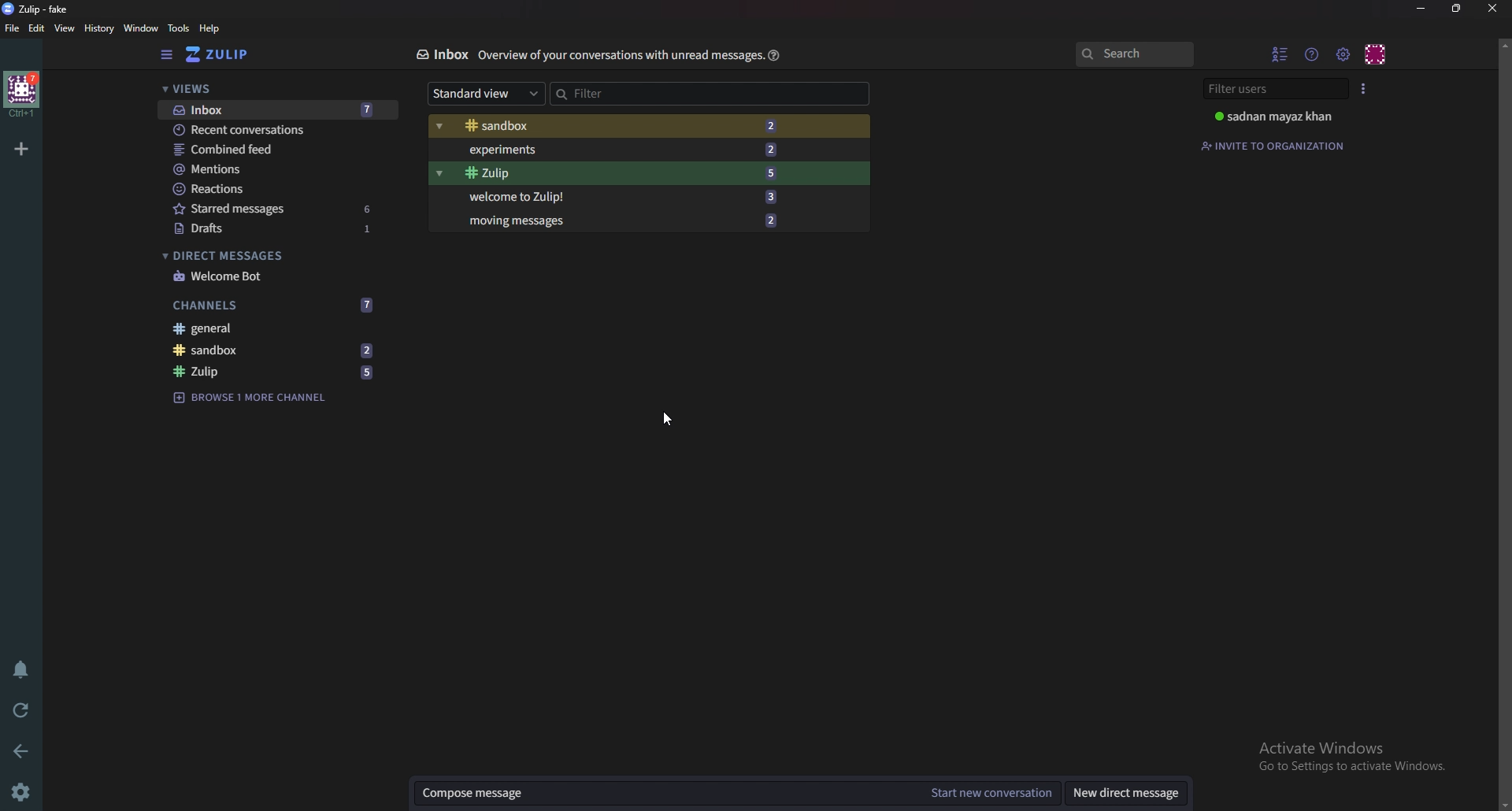  What do you see at coordinates (553, 150) in the screenshot?
I see `Experiments` at bounding box center [553, 150].